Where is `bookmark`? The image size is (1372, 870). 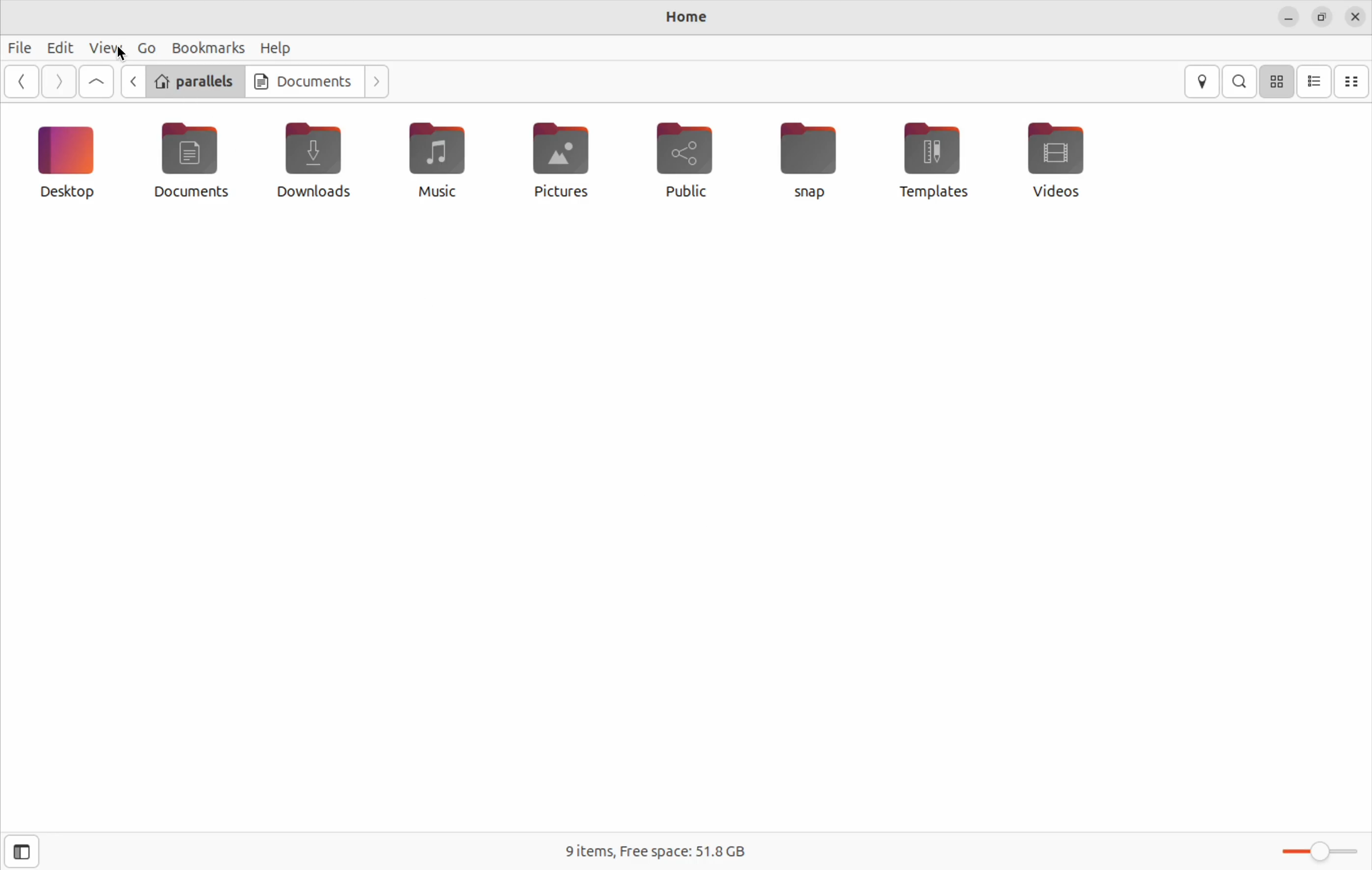 bookmark is located at coordinates (206, 47).